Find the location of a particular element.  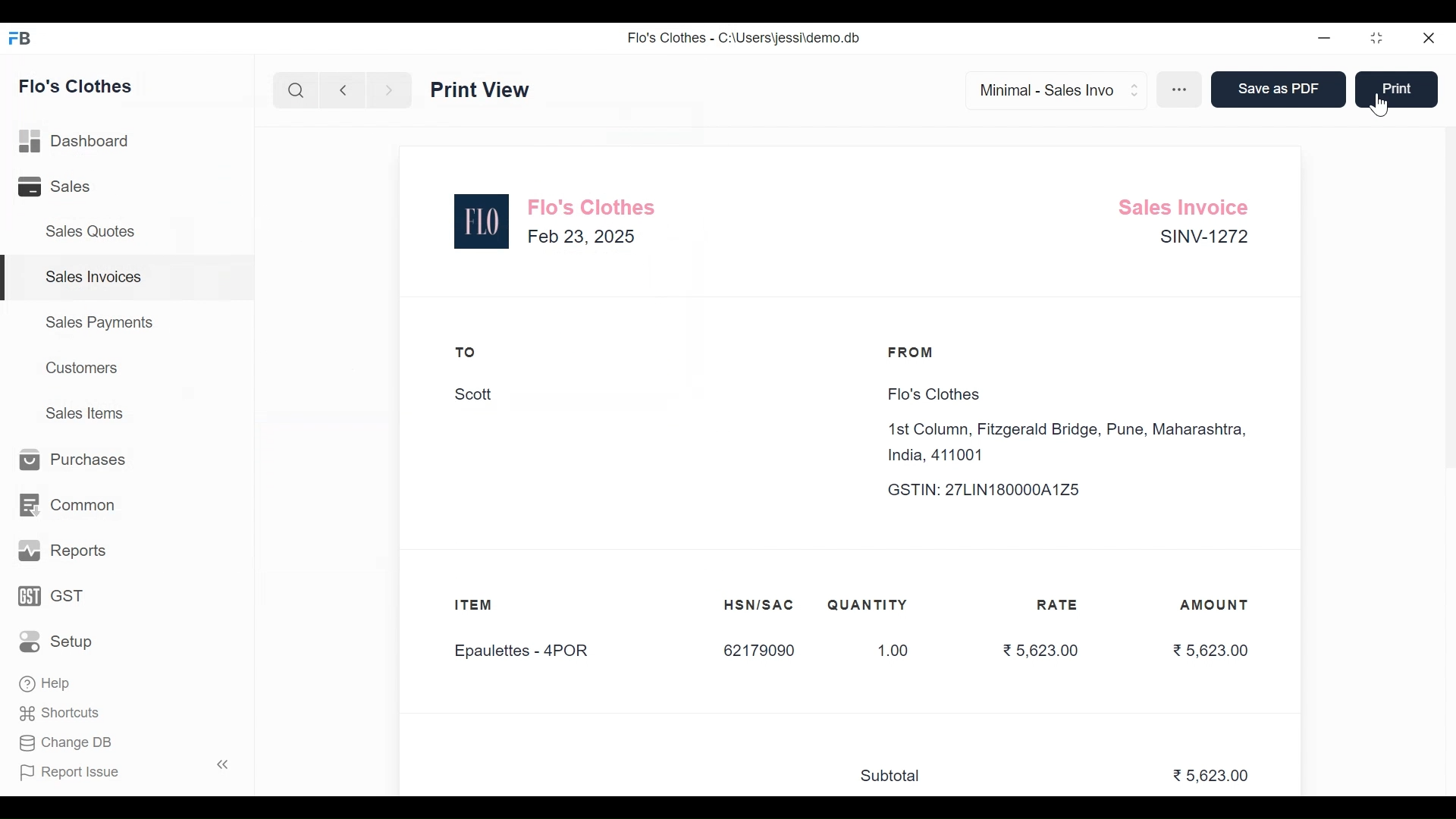

Subtotal is located at coordinates (897, 777).